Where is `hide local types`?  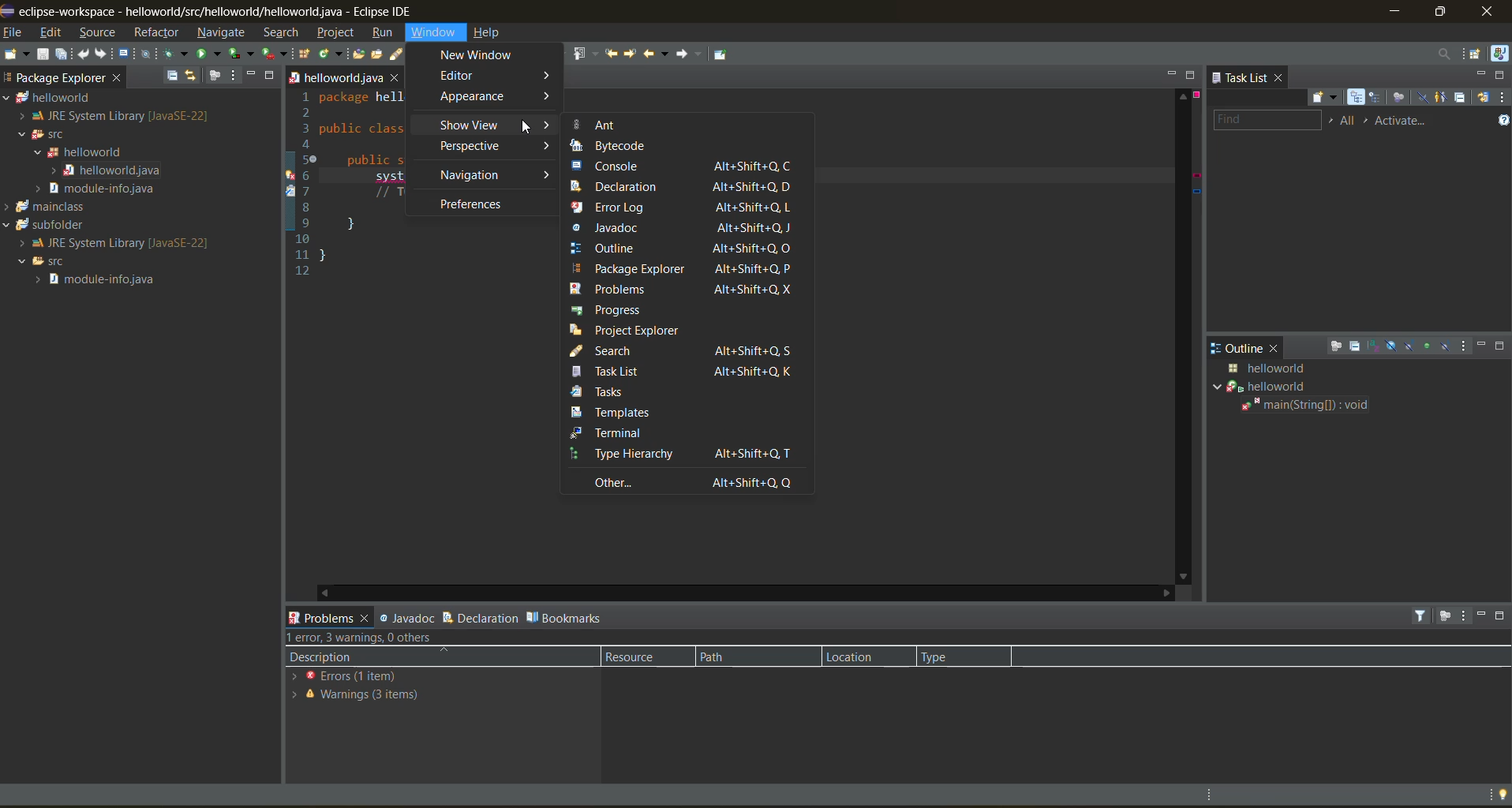
hide local types is located at coordinates (1447, 345).